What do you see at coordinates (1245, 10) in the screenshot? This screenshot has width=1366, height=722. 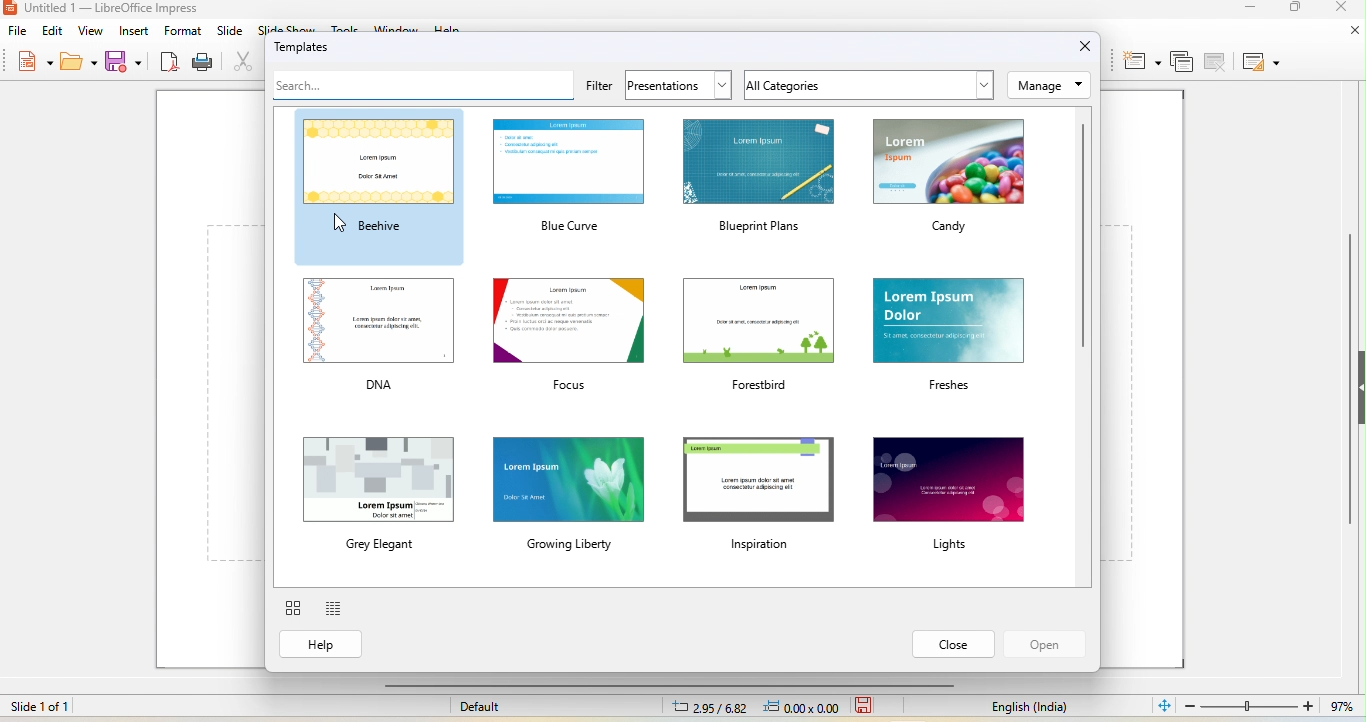 I see `minimize` at bounding box center [1245, 10].